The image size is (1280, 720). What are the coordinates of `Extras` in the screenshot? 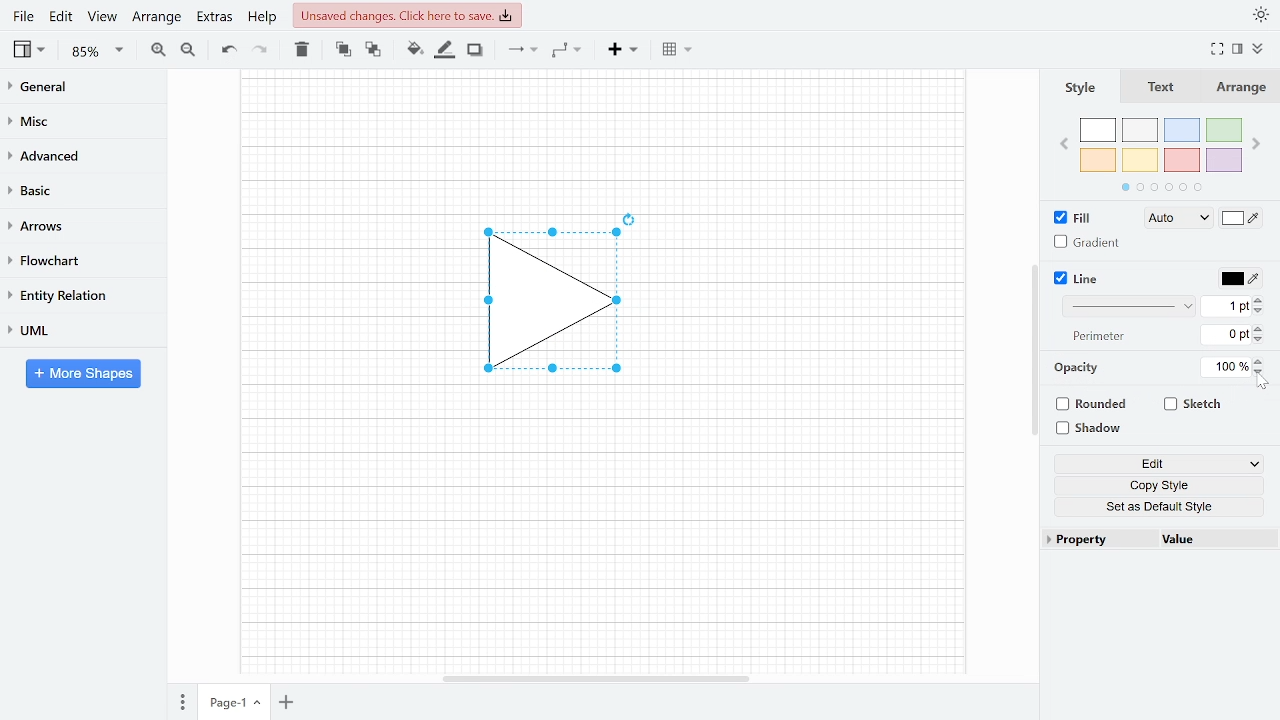 It's located at (212, 16).